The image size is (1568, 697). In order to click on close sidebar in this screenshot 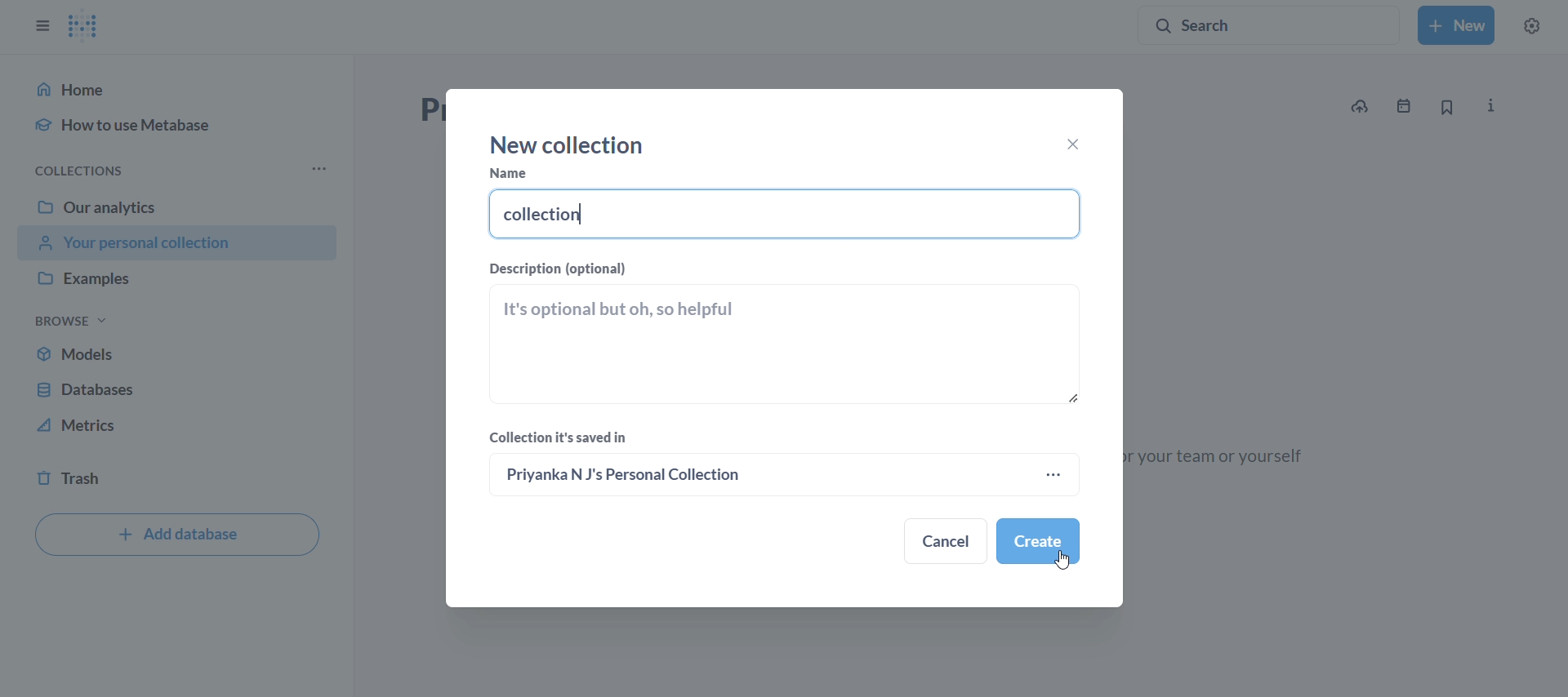, I will do `click(32, 20)`.